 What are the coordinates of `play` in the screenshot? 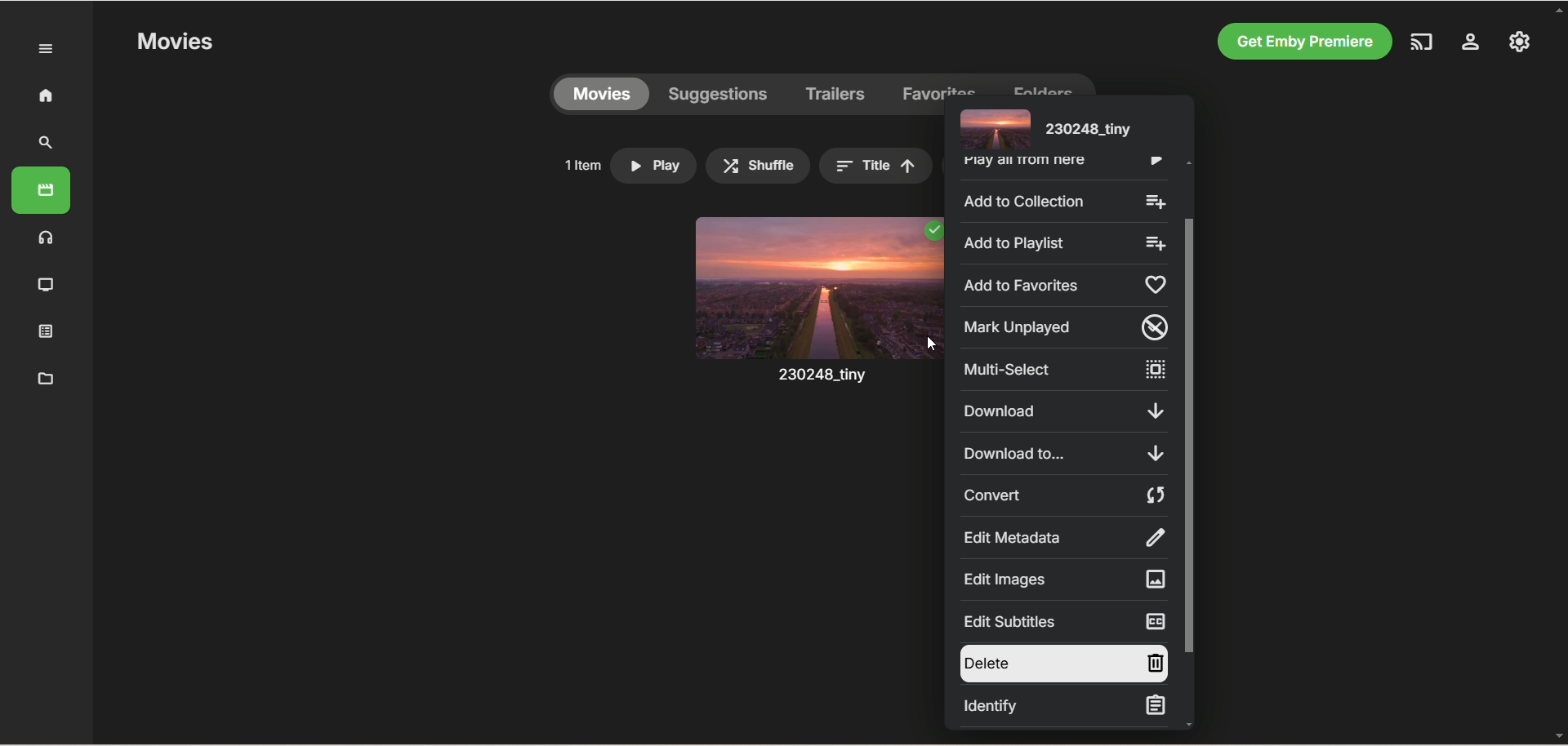 It's located at (653, 166).